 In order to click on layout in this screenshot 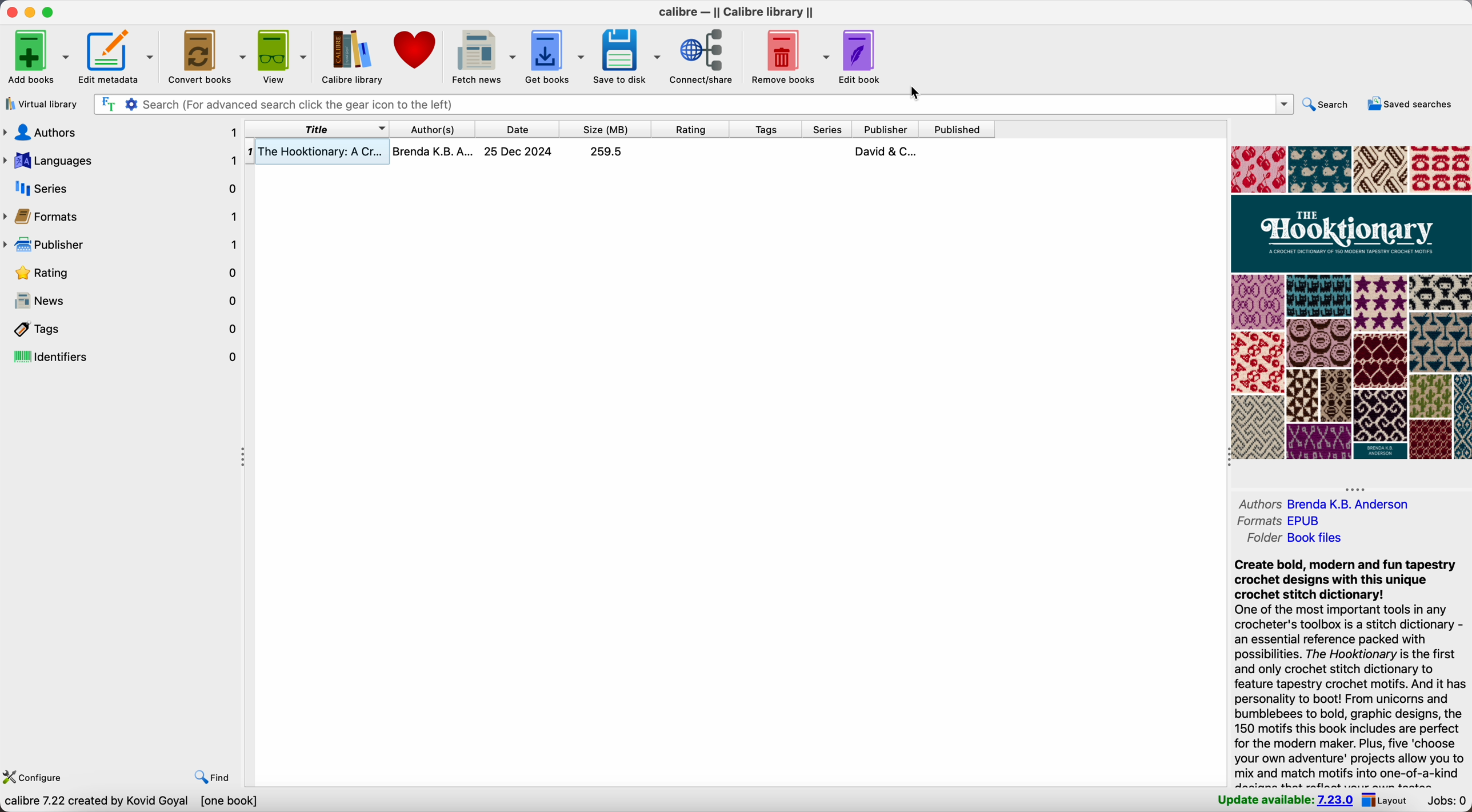, I will do `click(1387, 801)`.